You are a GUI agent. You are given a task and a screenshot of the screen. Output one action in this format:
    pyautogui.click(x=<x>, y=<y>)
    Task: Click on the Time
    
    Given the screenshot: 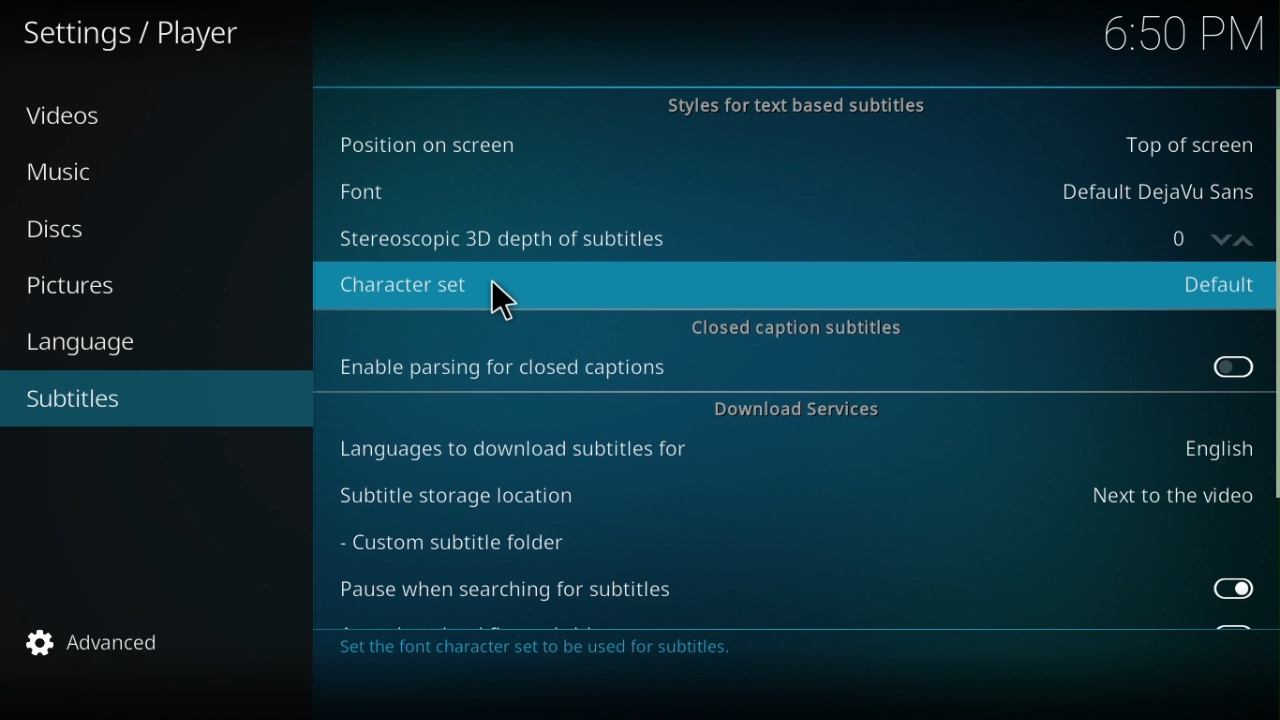 What is the action you would take?
    pyautogui.click(x=1179, y=33)
    